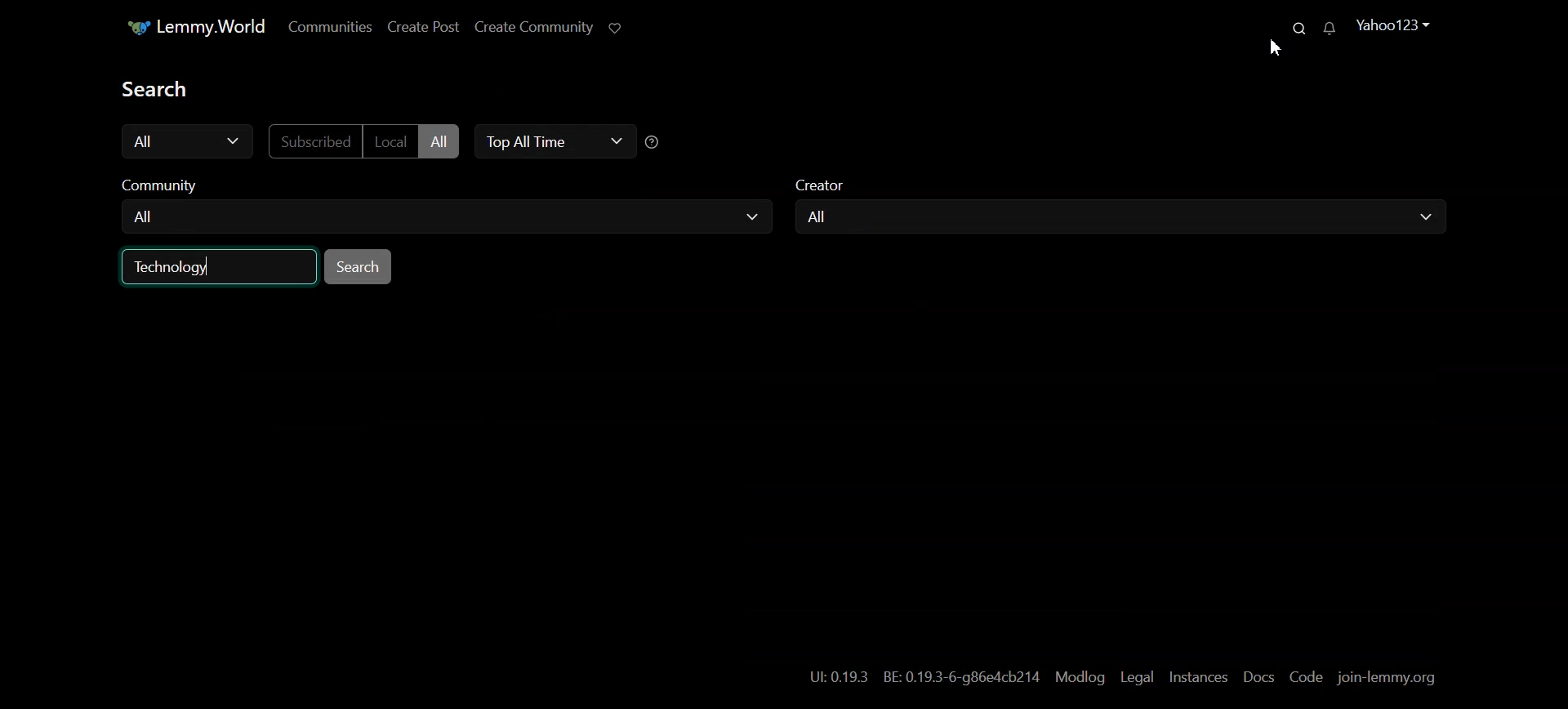 The height and width of the screenshot is (709, 1568). Describe the element at coordinates (390, 141) in the screenshot. I see `Local` at that location.